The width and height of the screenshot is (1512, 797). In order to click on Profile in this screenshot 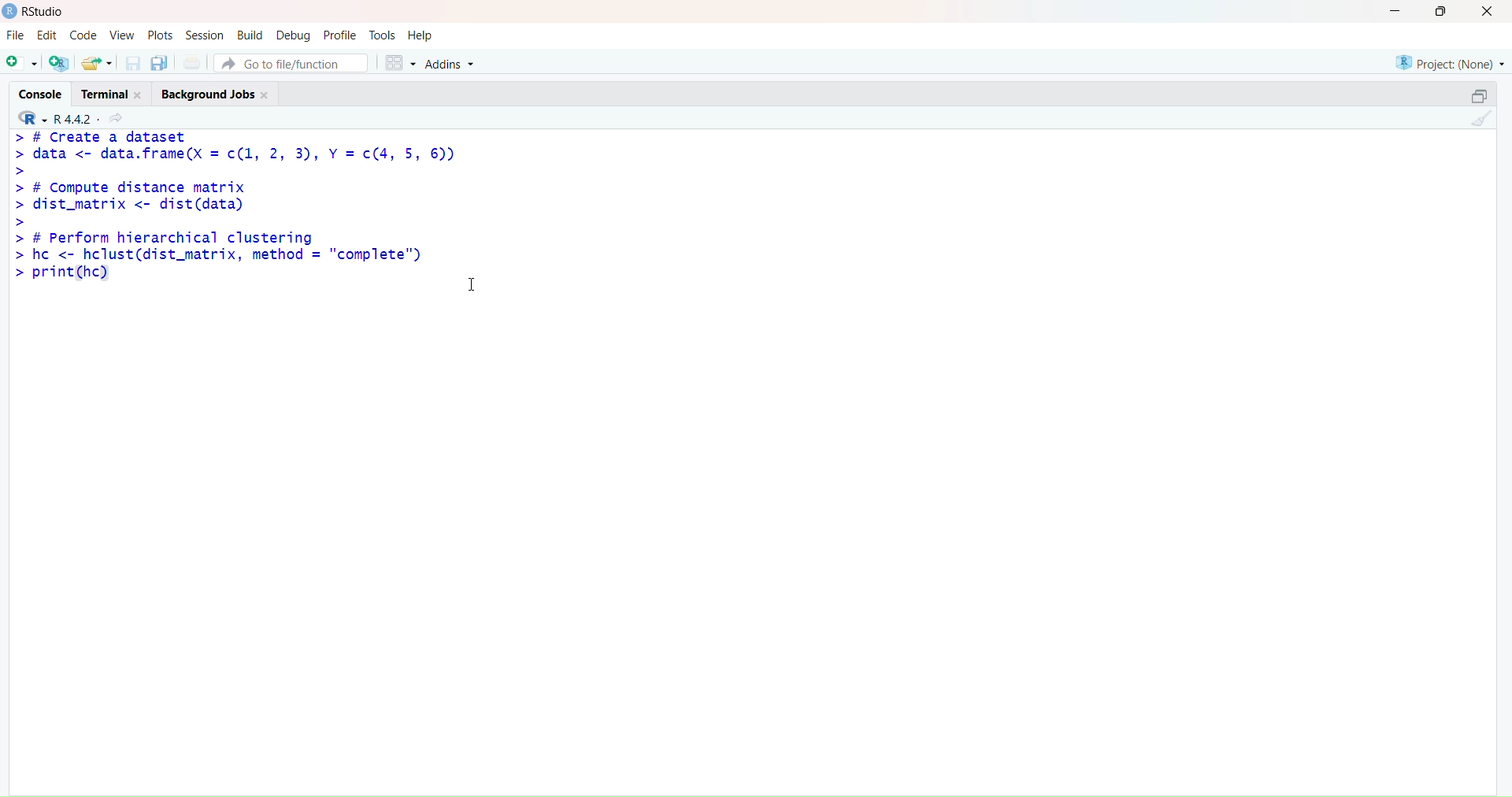, I will do `click(338, 35)`.